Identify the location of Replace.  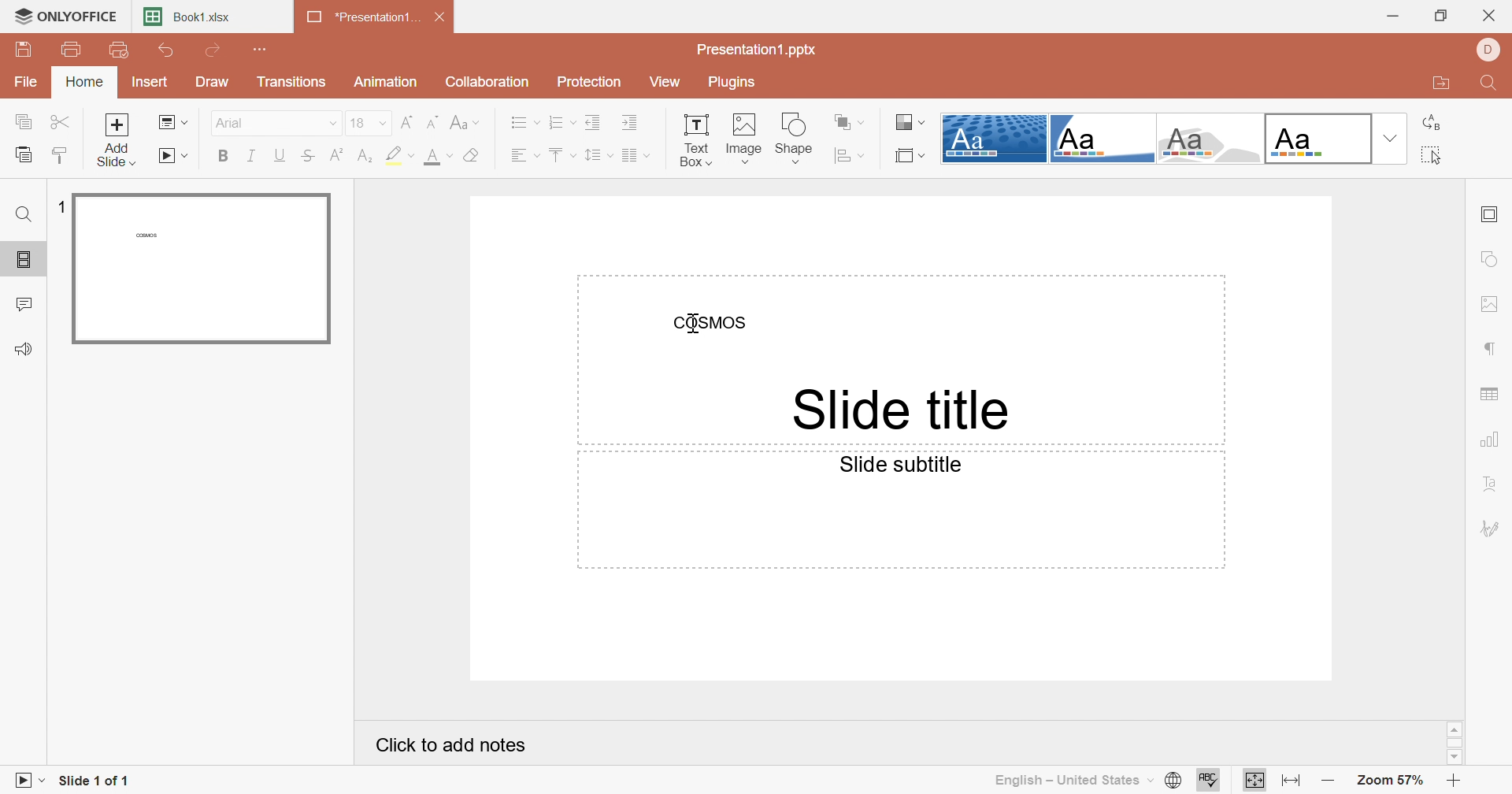
(1431, 124).